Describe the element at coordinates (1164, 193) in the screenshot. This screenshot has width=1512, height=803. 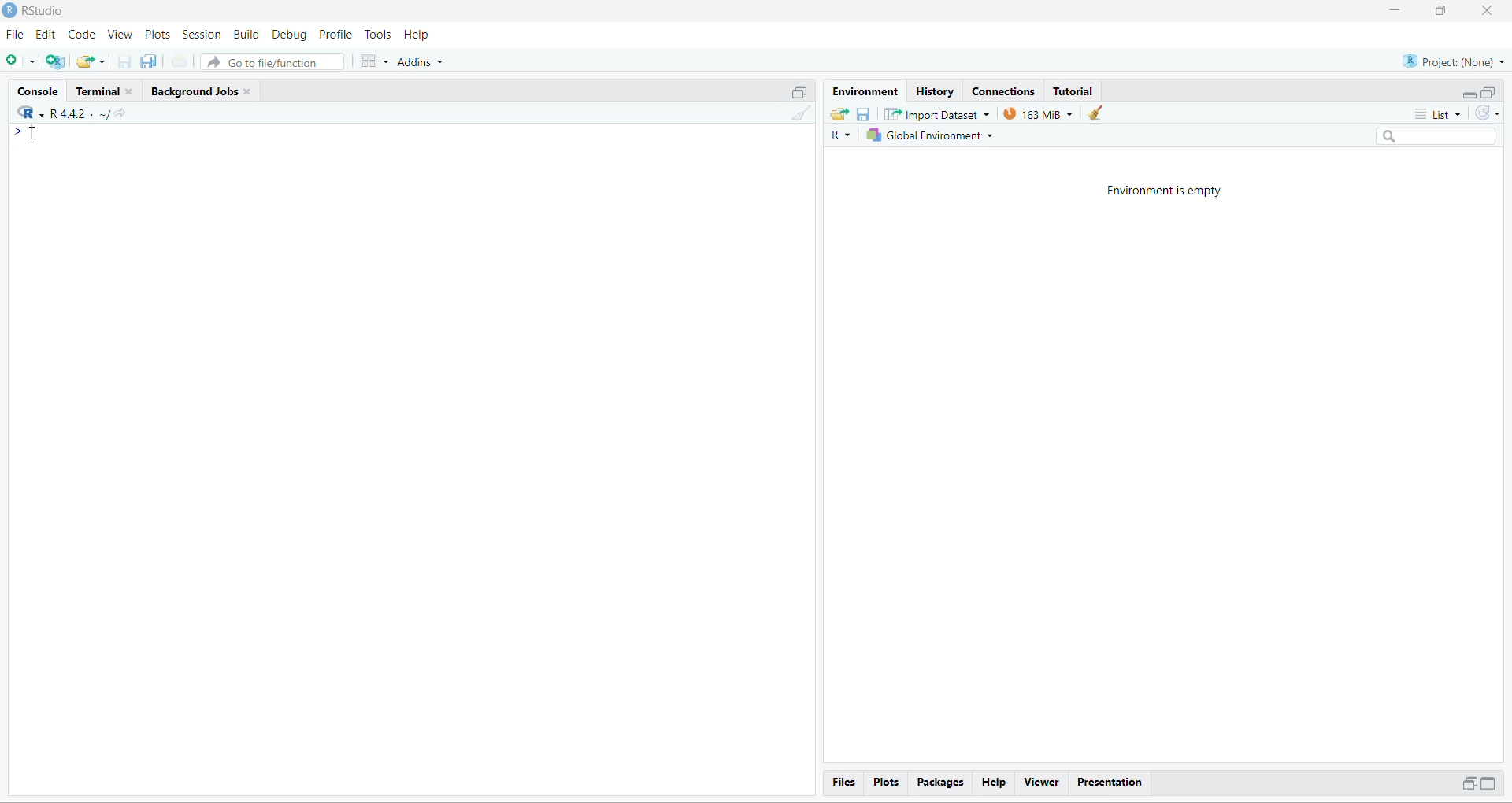
I see `Environment is empty` at that location.